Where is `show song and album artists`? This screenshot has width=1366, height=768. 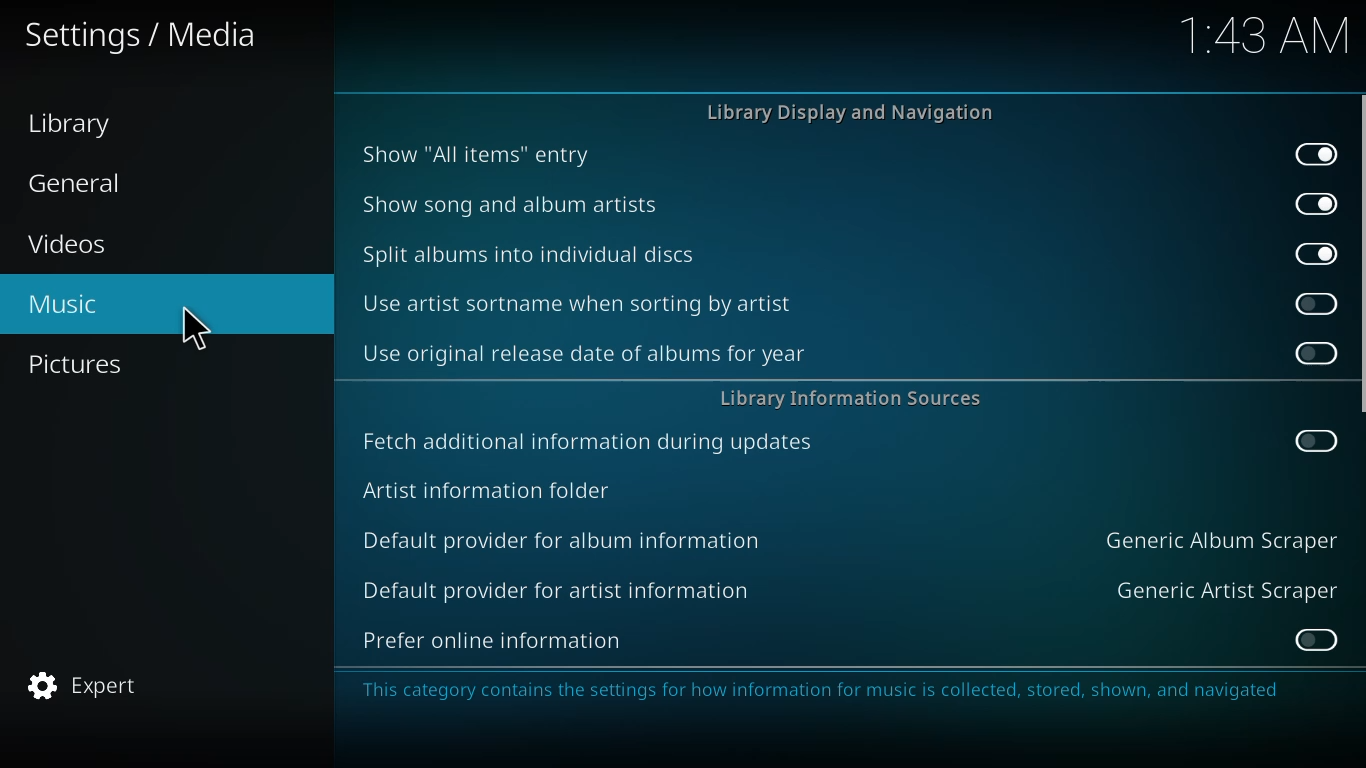
show song and album artists is located at coordinates (512, 204).